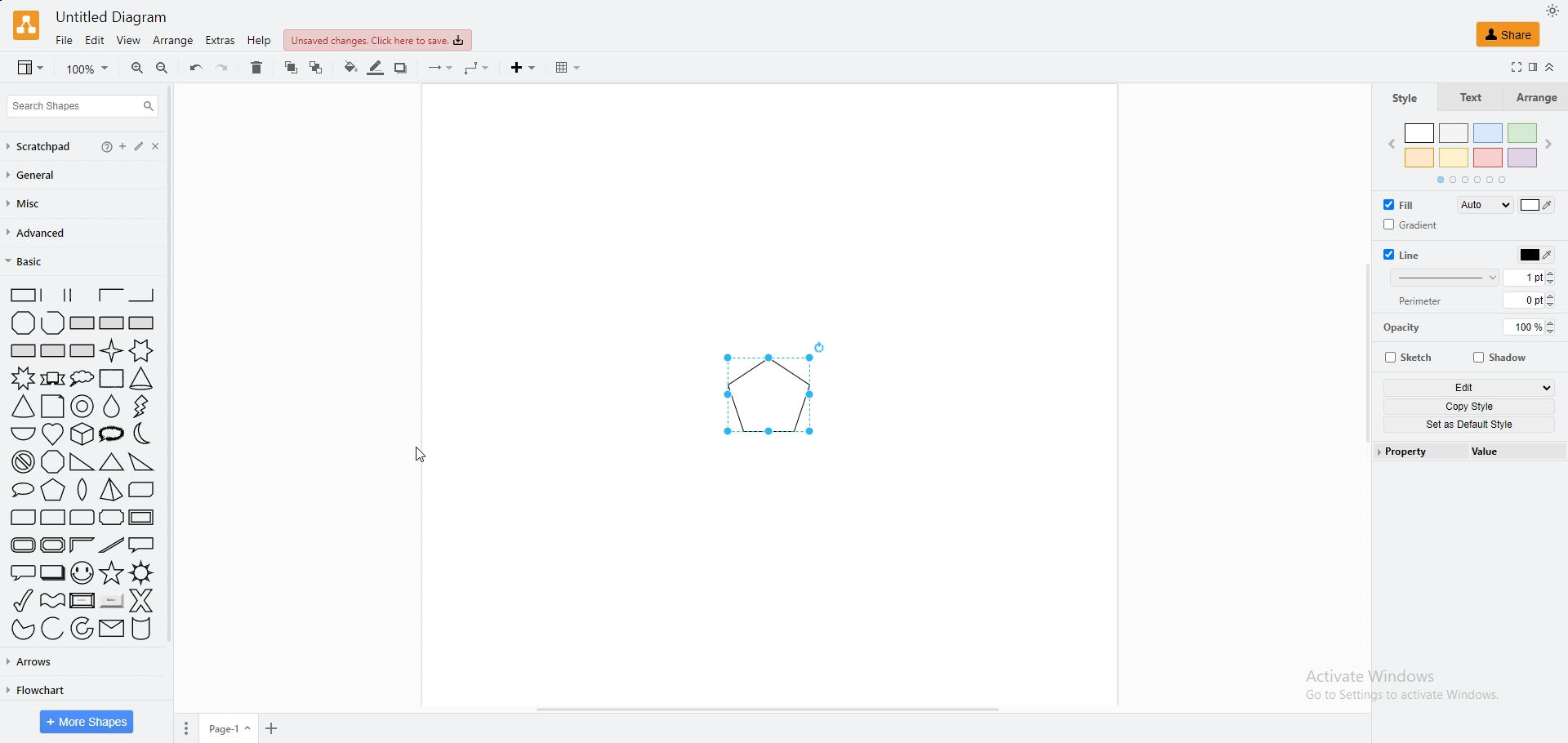 The width and height of the screenshot is (1568, 743). What do you see at coordinates (425, 452) in the screenshot?
I see `cursor` at bounding box center [425, 452].